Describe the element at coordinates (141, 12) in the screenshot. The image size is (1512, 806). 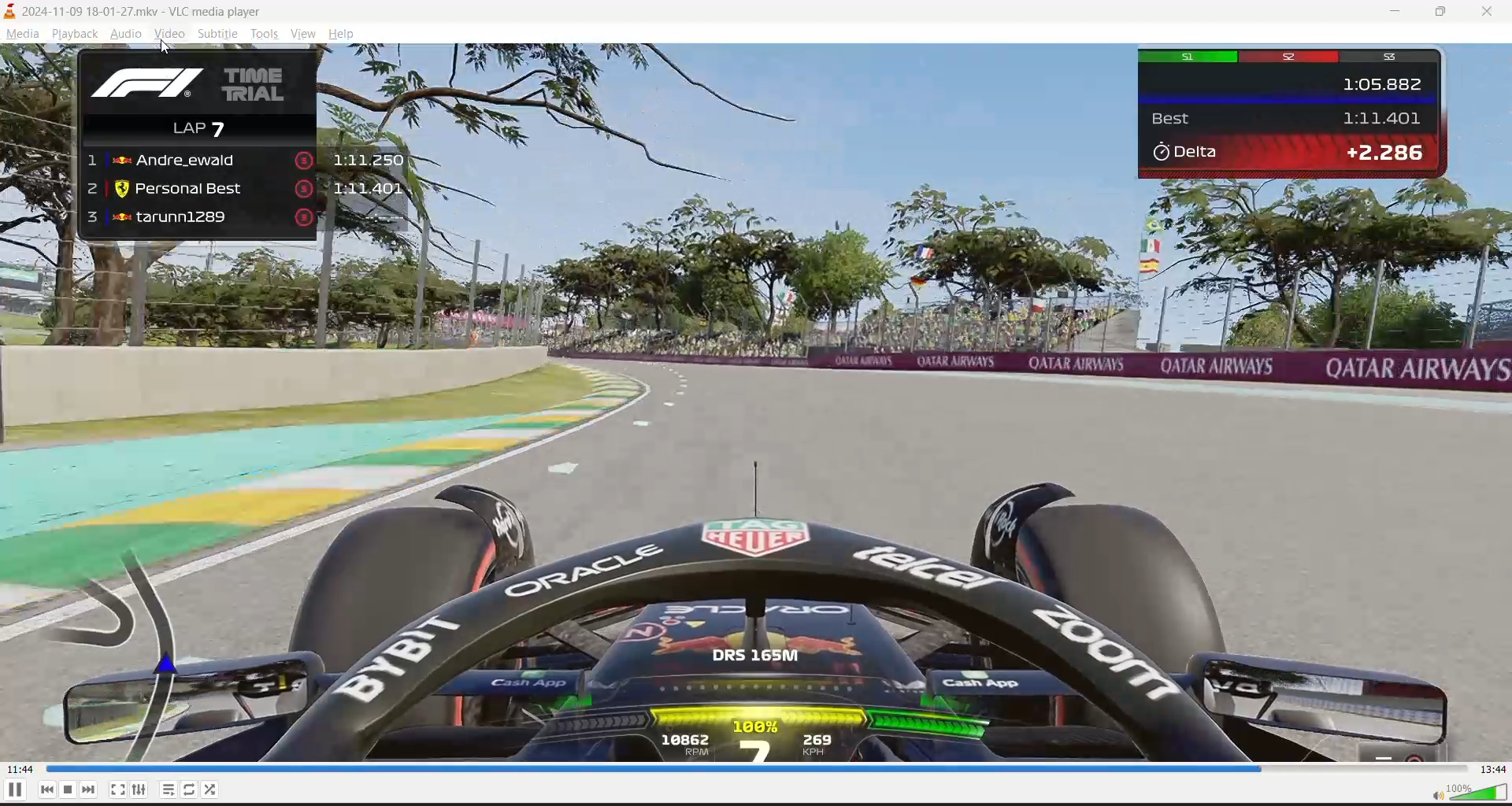
I see `track and app name` at that location.